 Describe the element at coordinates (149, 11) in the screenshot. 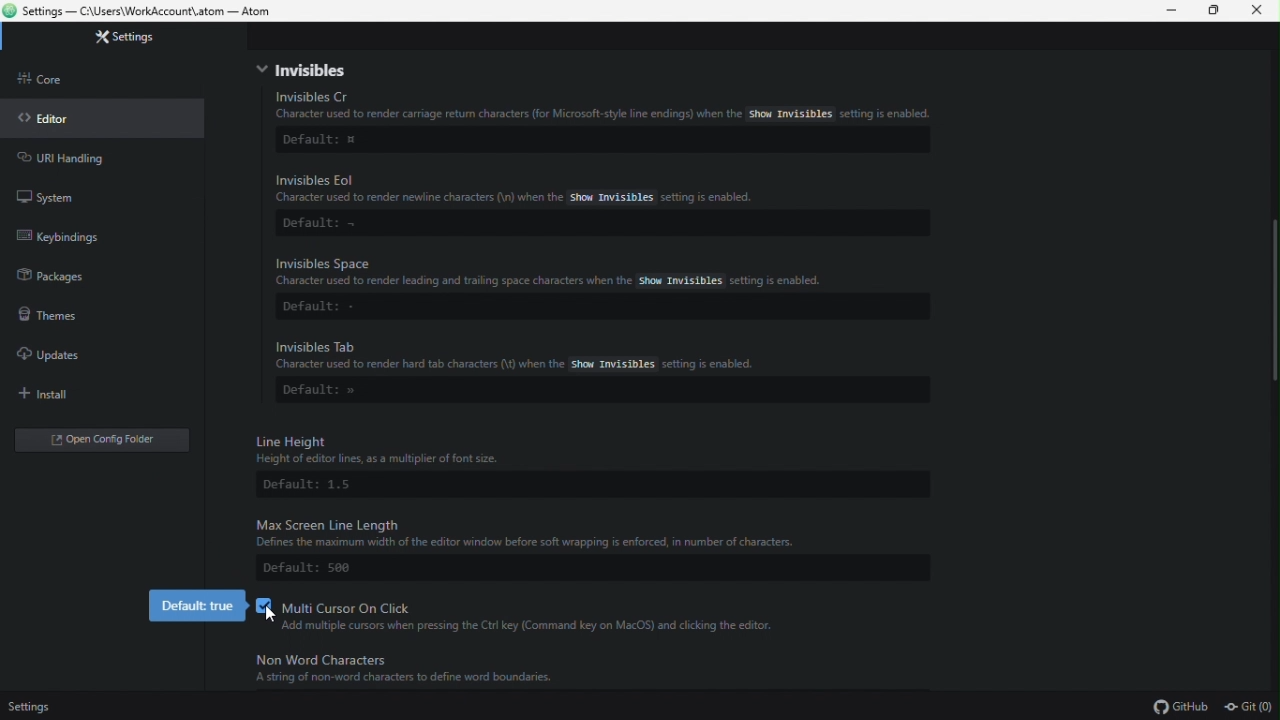

I see ` Settings — C:\Users\WorkAccount\.atom — Atom` at that location.